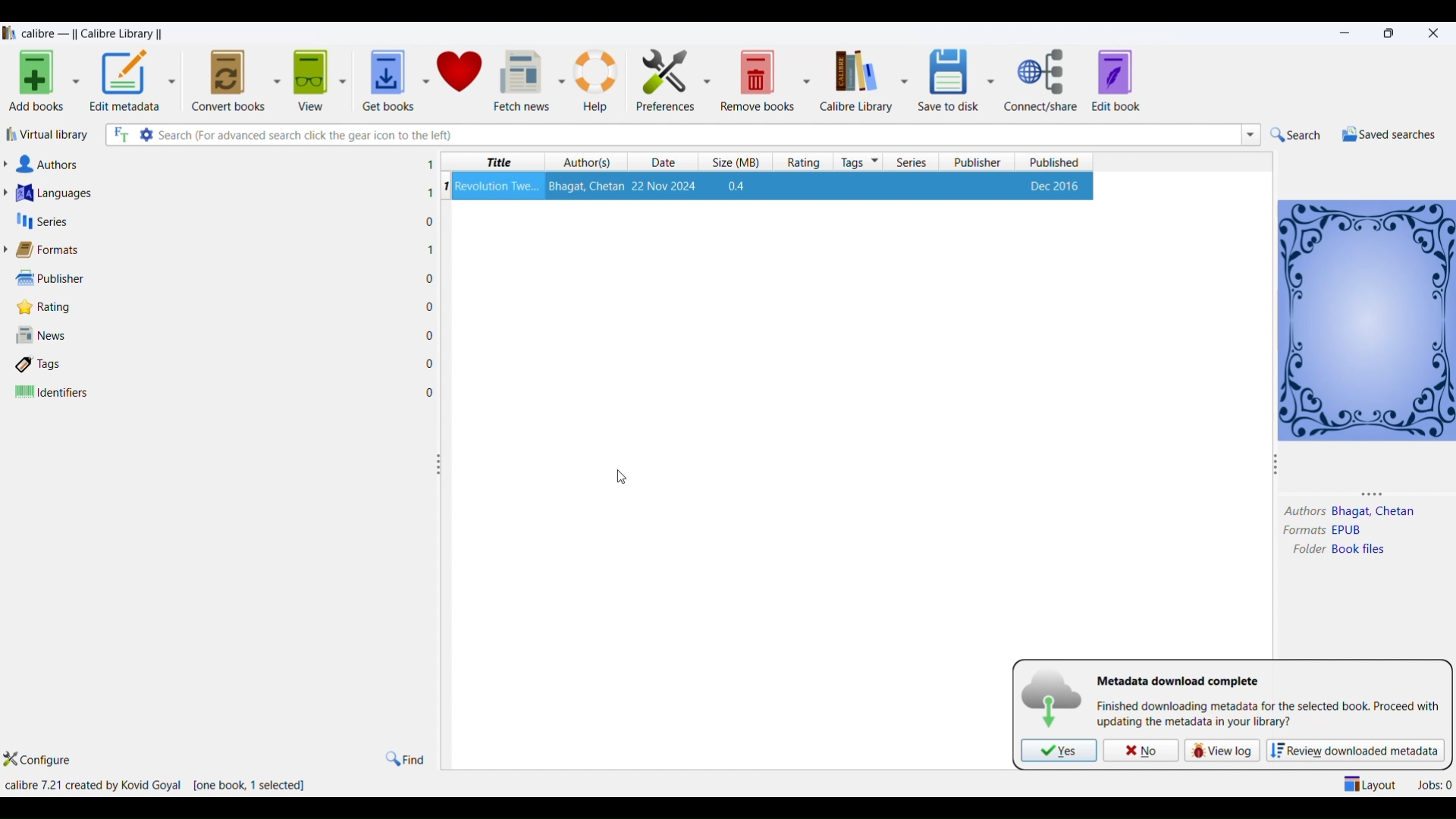 Image resolution: width=1456 pixels, height=819 pixels. What do you see at coordinates (991, 80) in the screenshot?
I see `save options dropdown button` at bounding box center [991, 80].